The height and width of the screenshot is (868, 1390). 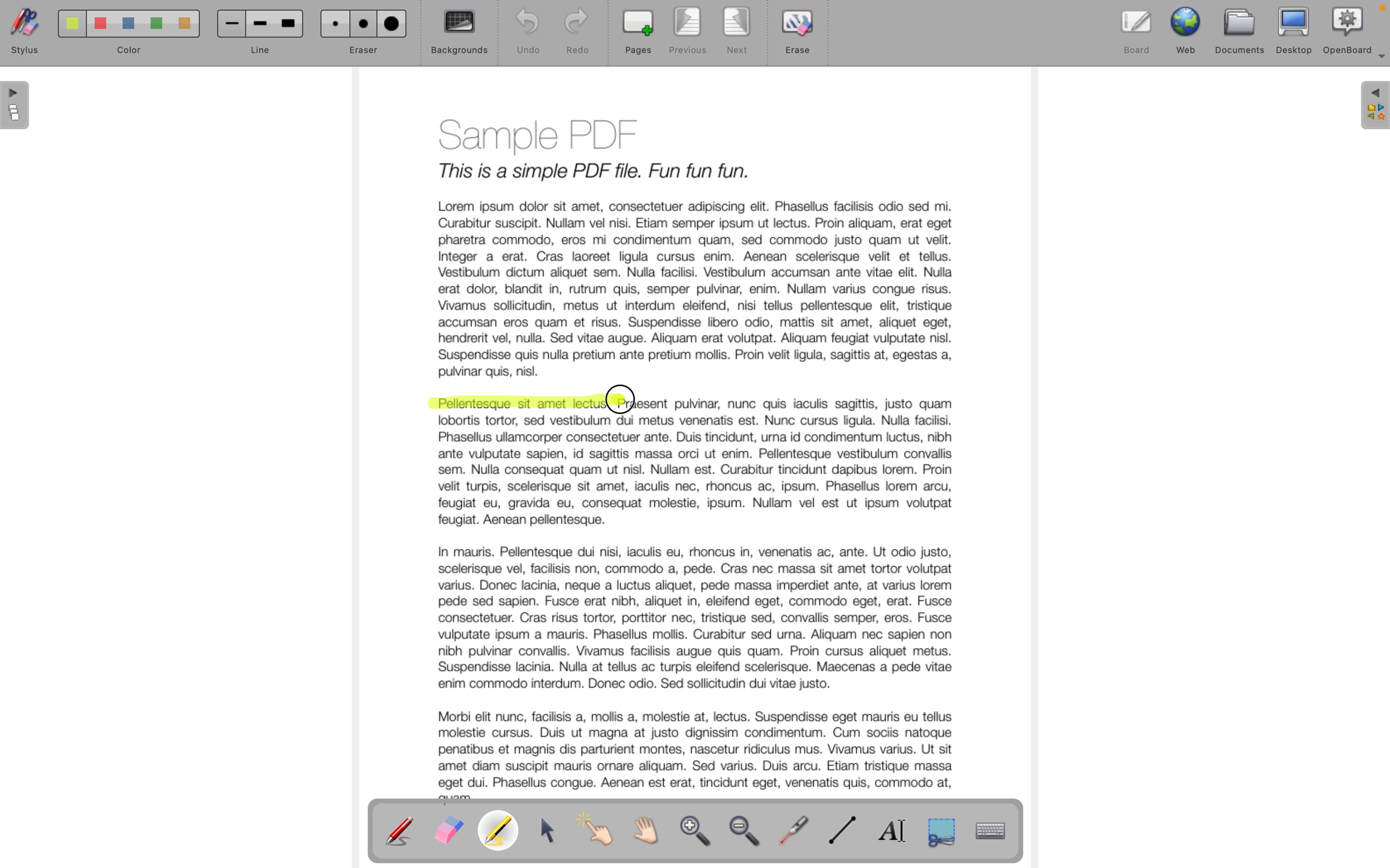 I want to click on next, so click(x=738, y=33).